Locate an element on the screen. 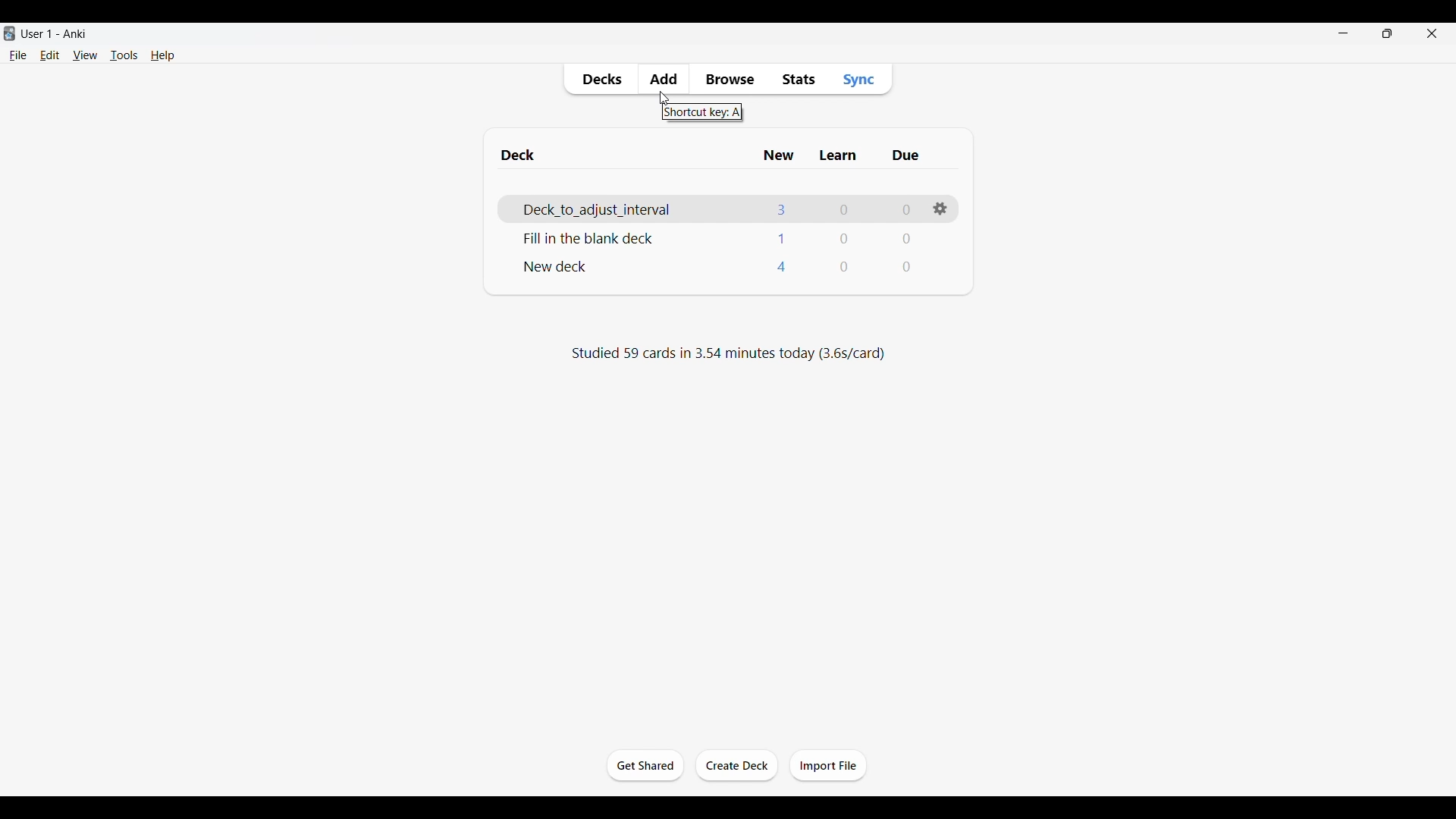 This screenshot has height=819, width=1456. Learn column is located at coordinates (837, 155).